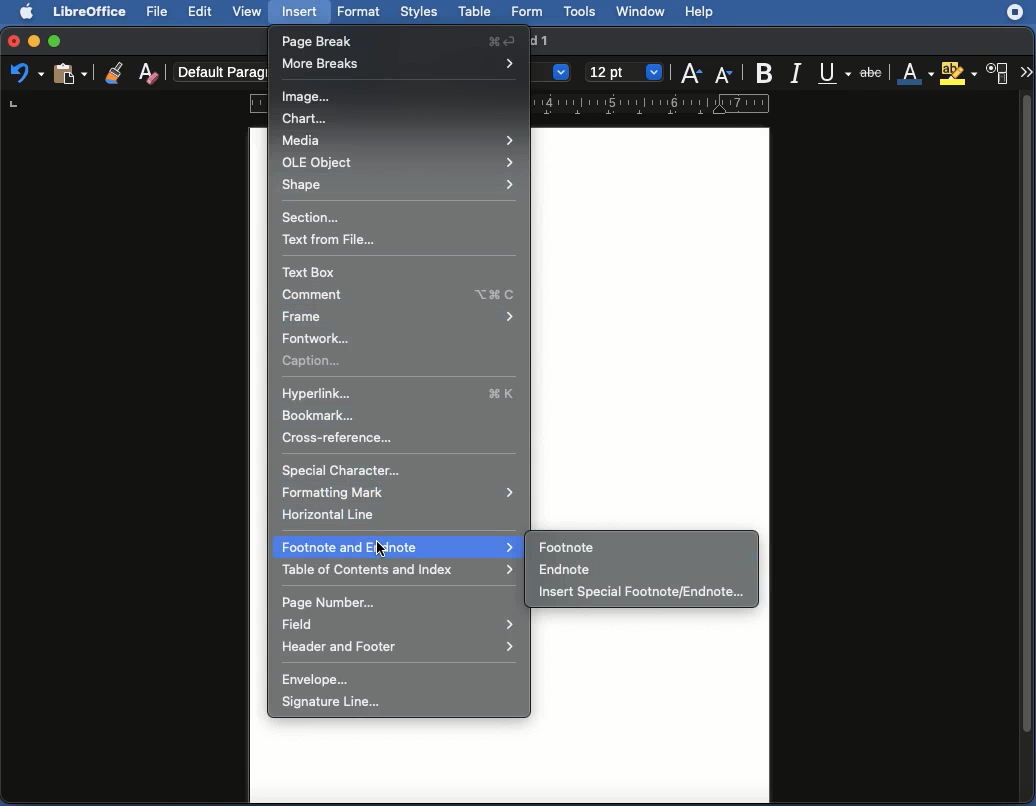 This screenshot has height=806, width=1036. I want to click on Table of contents and index, so click(399, 571).